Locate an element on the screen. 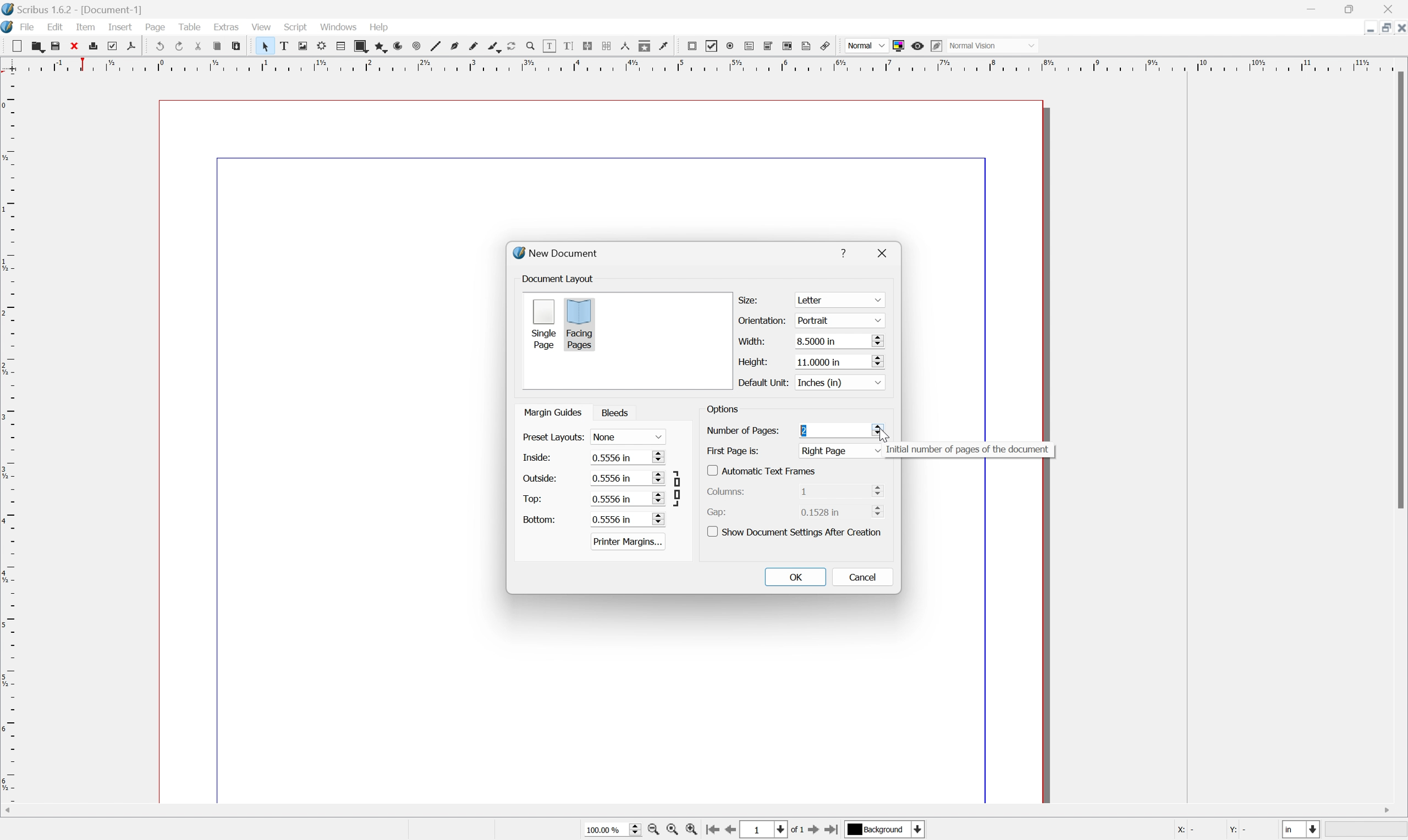 The height and width of the screenshot is (840, 1408). 8.500 in is located at coordinates (839, 342).